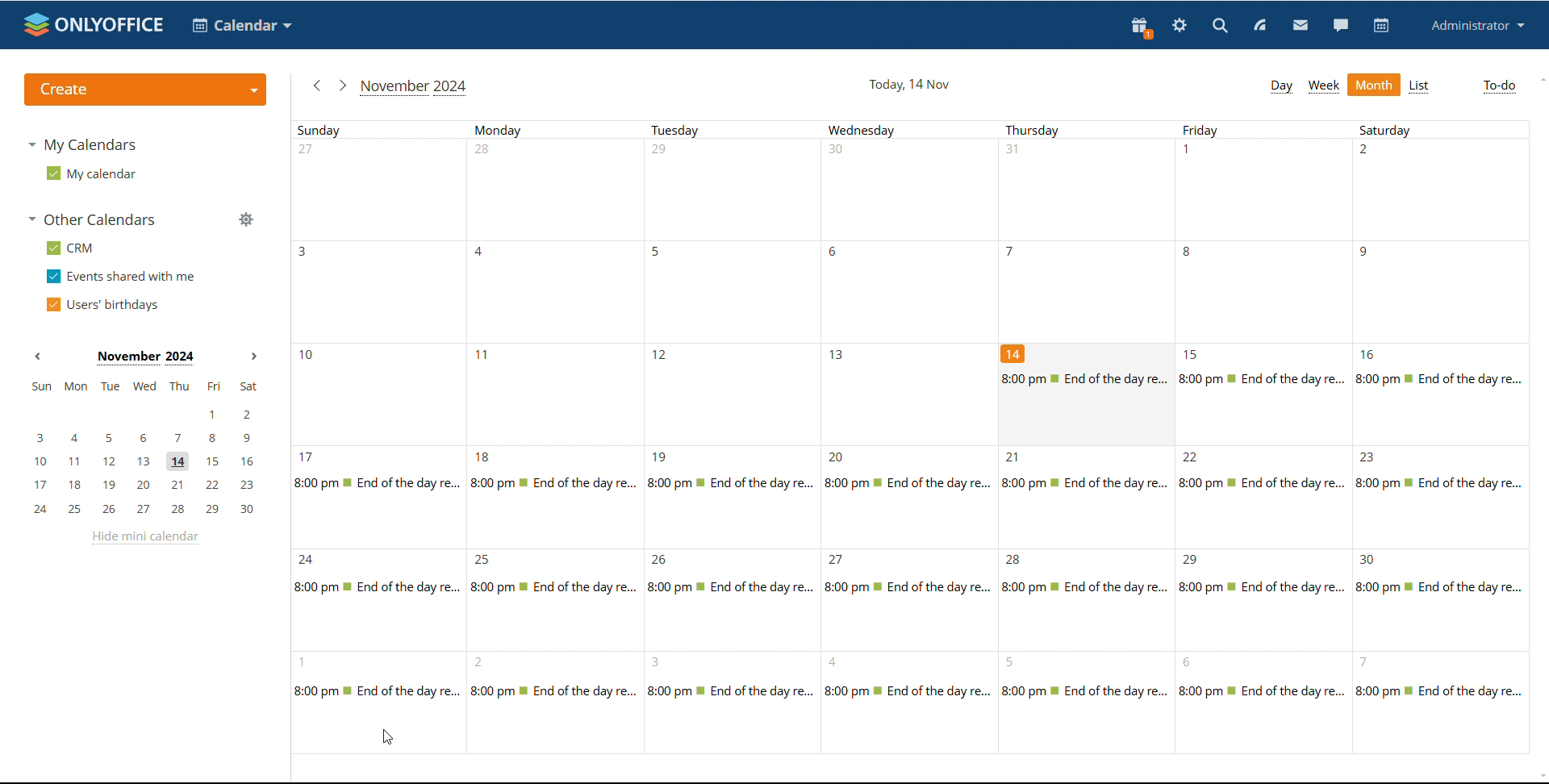  I want to click on my calendar, so click(90, 173).